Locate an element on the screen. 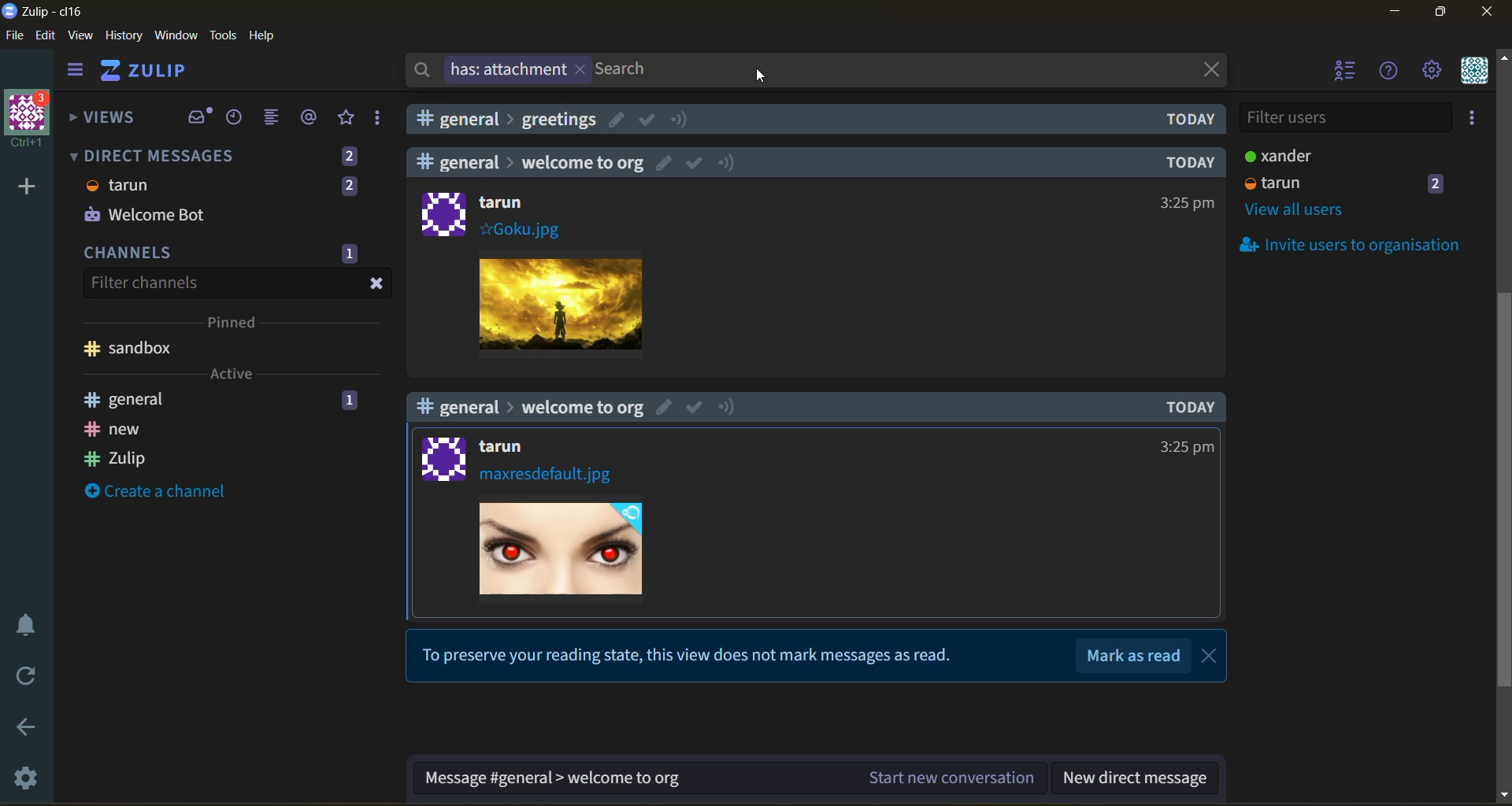 The width and height of the screenshot is (1512, 806). close is located at coordinates (1209, 68).